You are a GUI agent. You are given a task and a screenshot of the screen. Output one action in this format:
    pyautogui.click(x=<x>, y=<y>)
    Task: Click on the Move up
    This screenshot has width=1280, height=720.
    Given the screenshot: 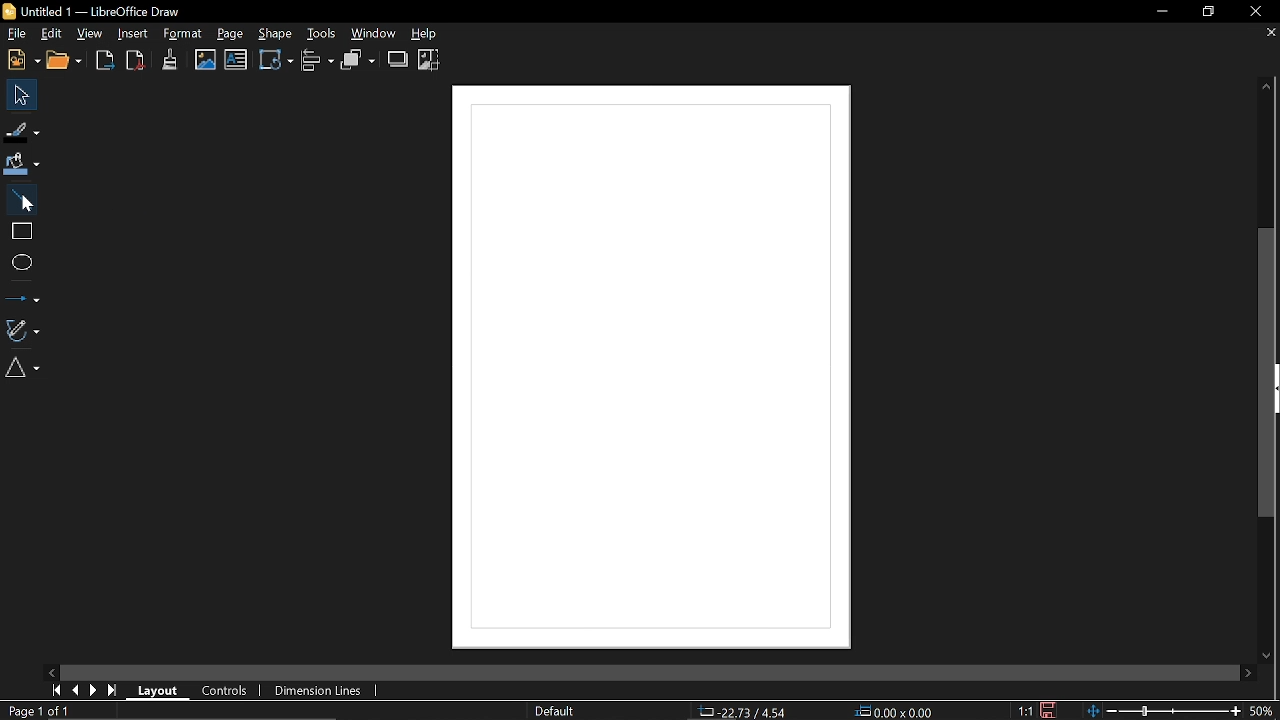 What is the action you would take?
    pyautogui.click(x=1272, y=88)
    